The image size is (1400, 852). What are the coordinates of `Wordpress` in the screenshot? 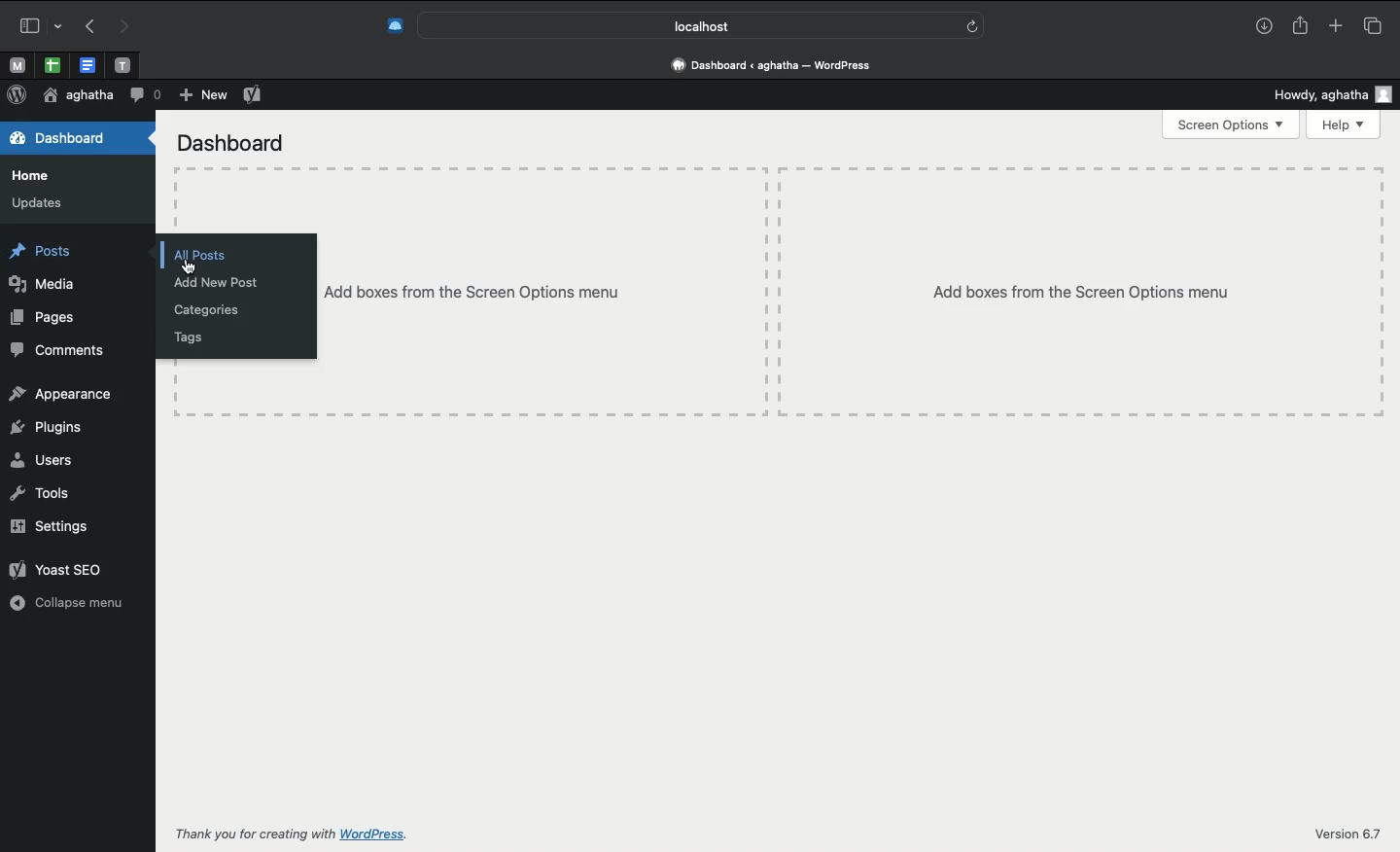 It's located at (17, 94).